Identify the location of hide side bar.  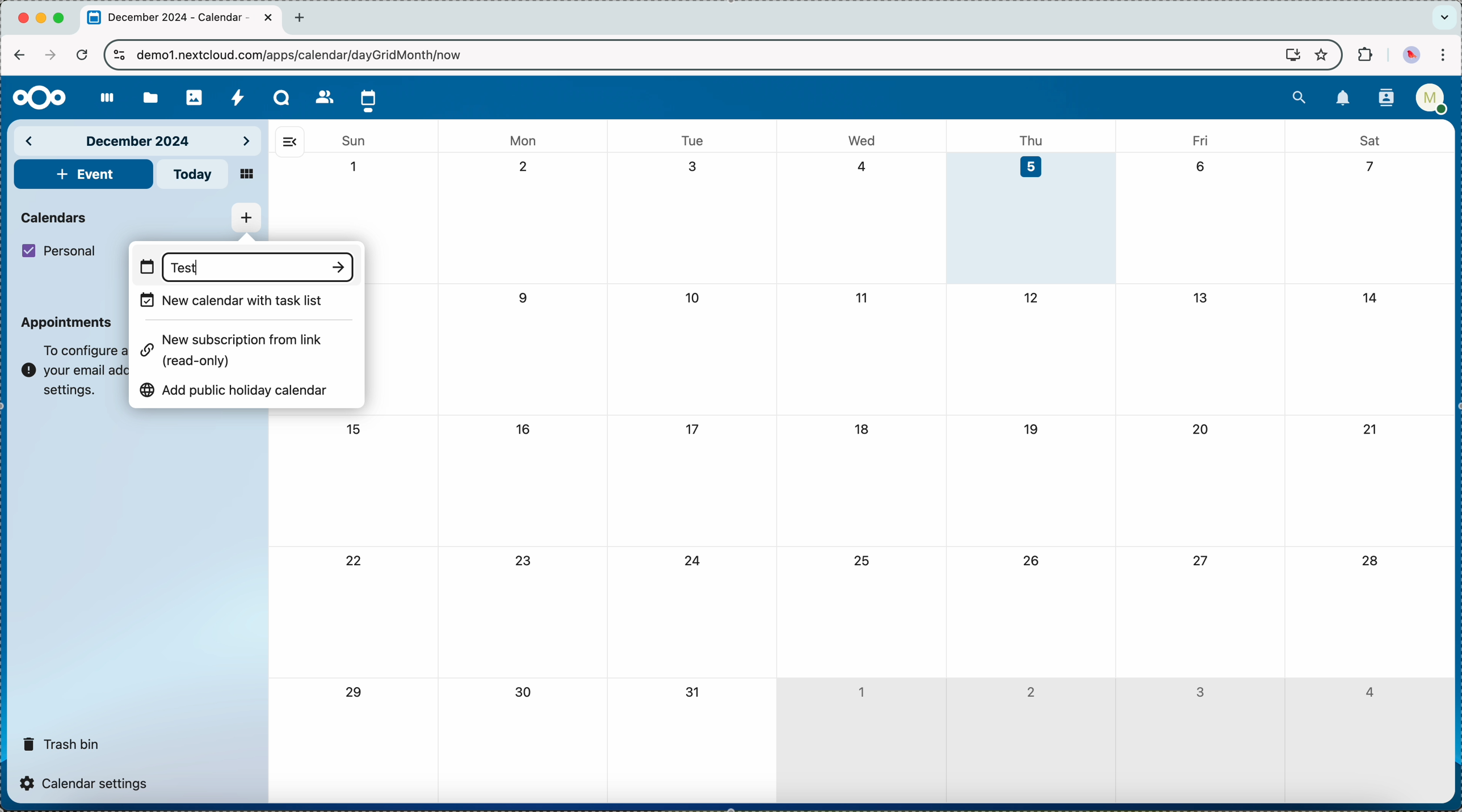
(289, 141).